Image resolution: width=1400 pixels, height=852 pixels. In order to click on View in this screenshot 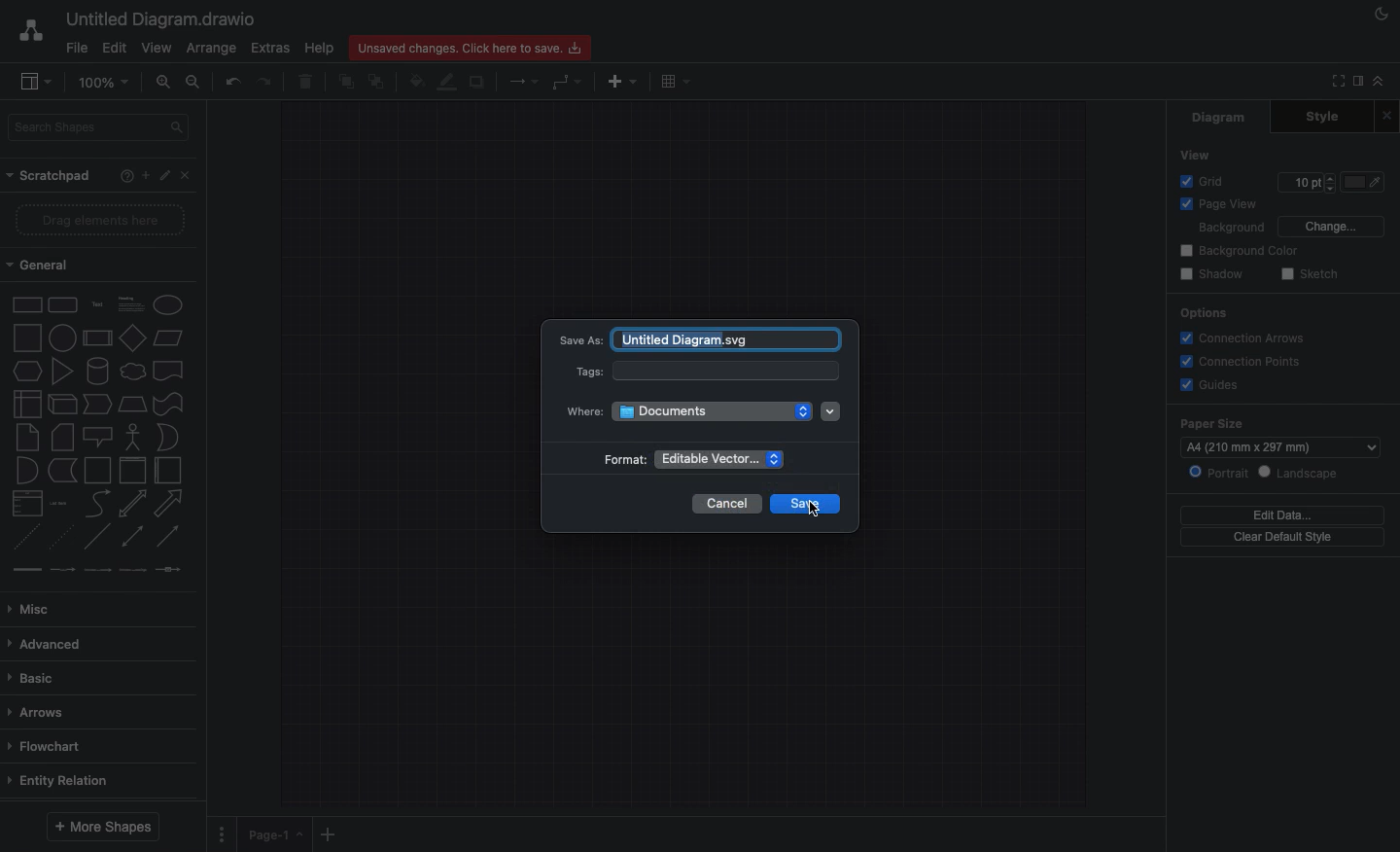, I will do `click(157, 49)`.